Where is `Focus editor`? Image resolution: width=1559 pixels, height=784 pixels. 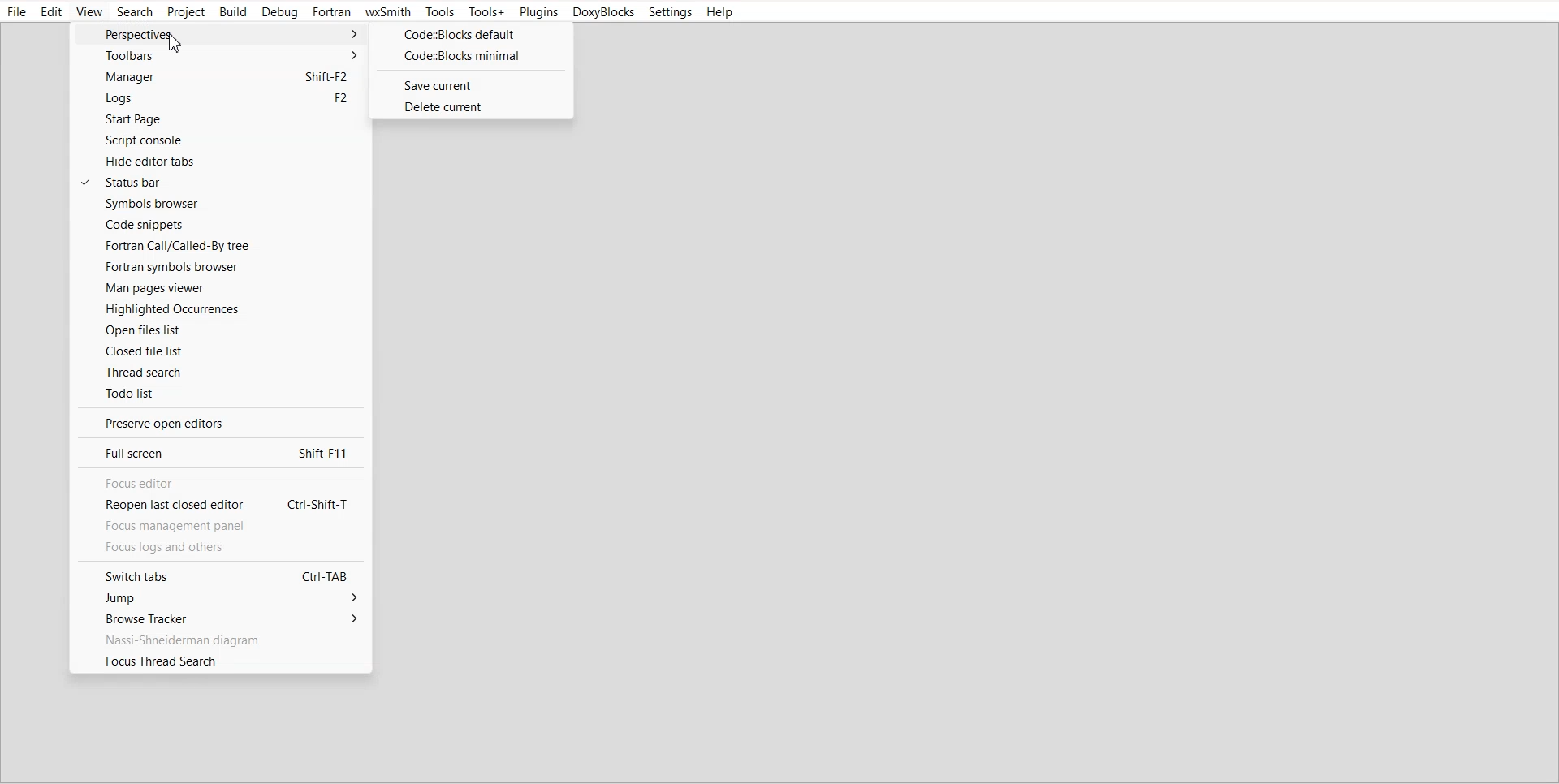
Focus editor is located at coordinates (216, 483).